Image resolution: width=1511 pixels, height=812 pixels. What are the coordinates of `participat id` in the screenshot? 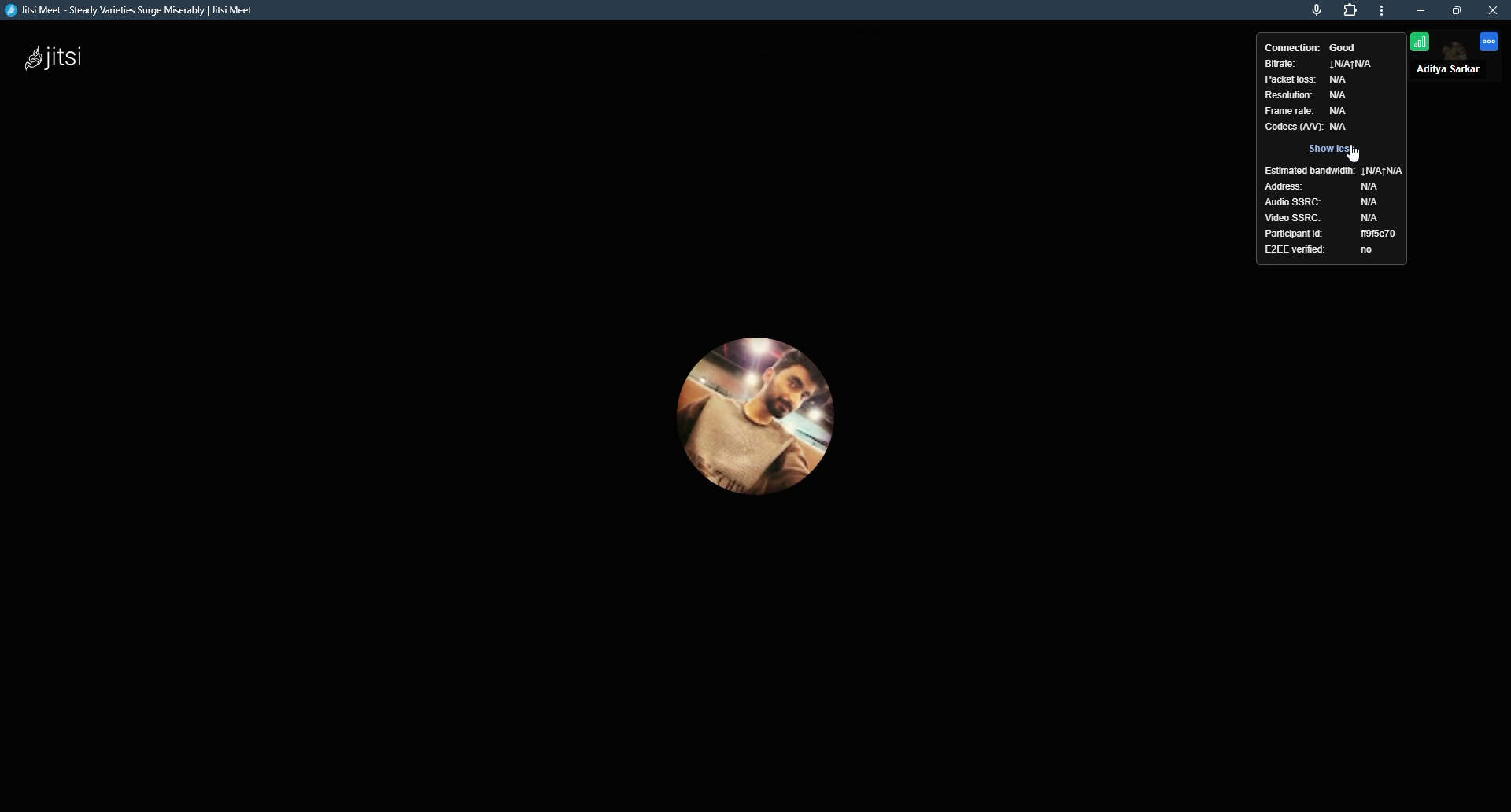 It's located at (1294, 233).